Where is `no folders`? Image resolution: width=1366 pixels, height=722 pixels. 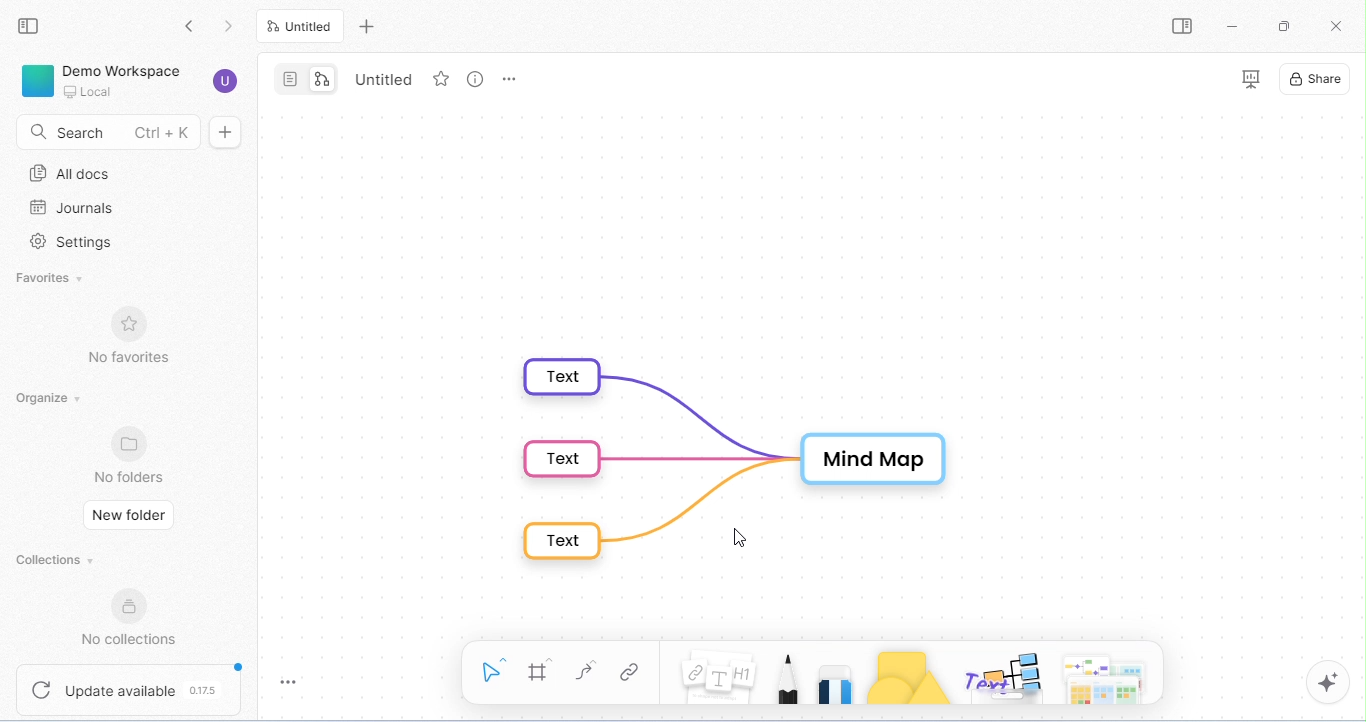 no folders is located at coordinates (132, 456).